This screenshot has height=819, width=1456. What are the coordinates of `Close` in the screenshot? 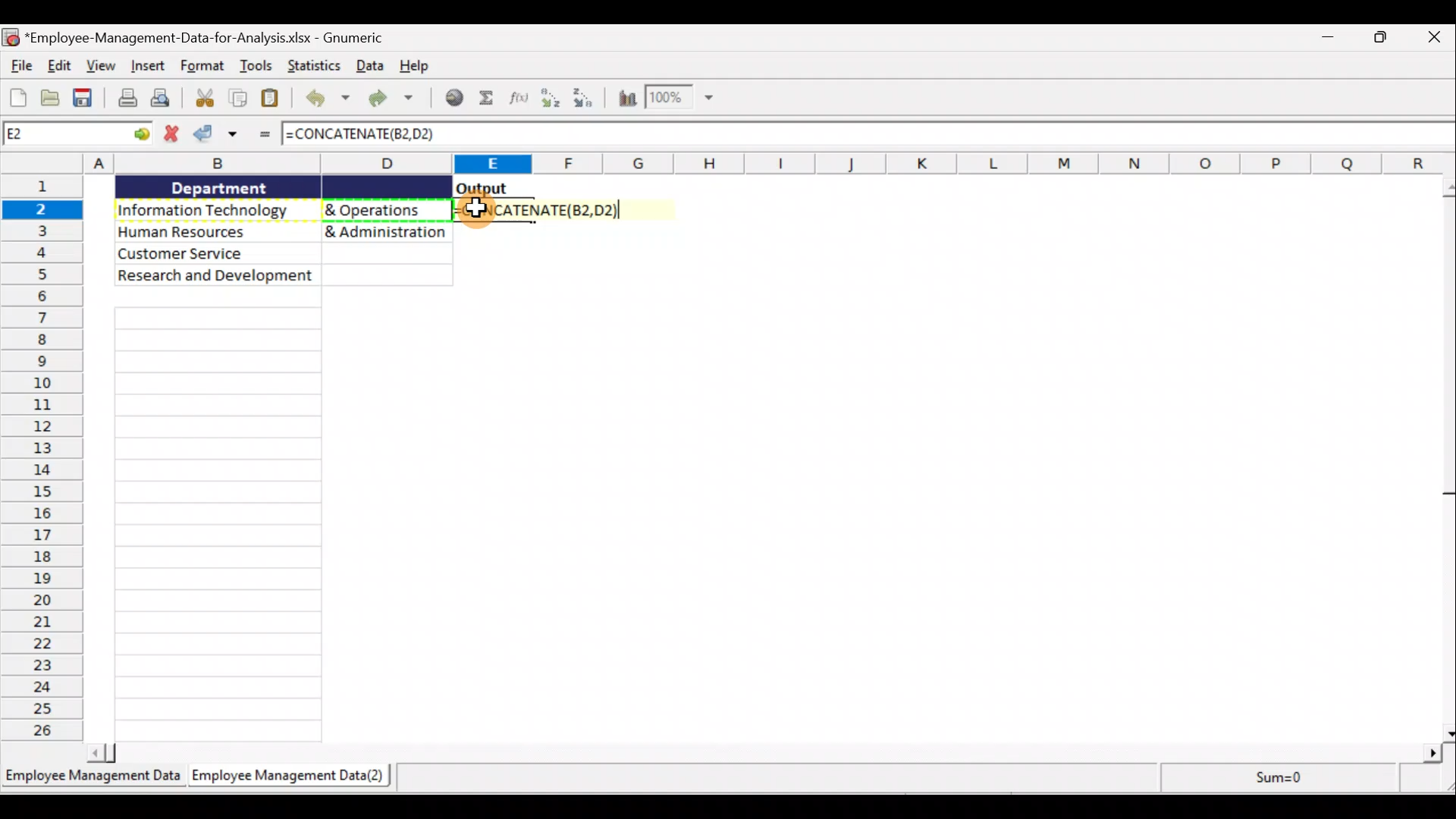 It's located at (1433, 40).